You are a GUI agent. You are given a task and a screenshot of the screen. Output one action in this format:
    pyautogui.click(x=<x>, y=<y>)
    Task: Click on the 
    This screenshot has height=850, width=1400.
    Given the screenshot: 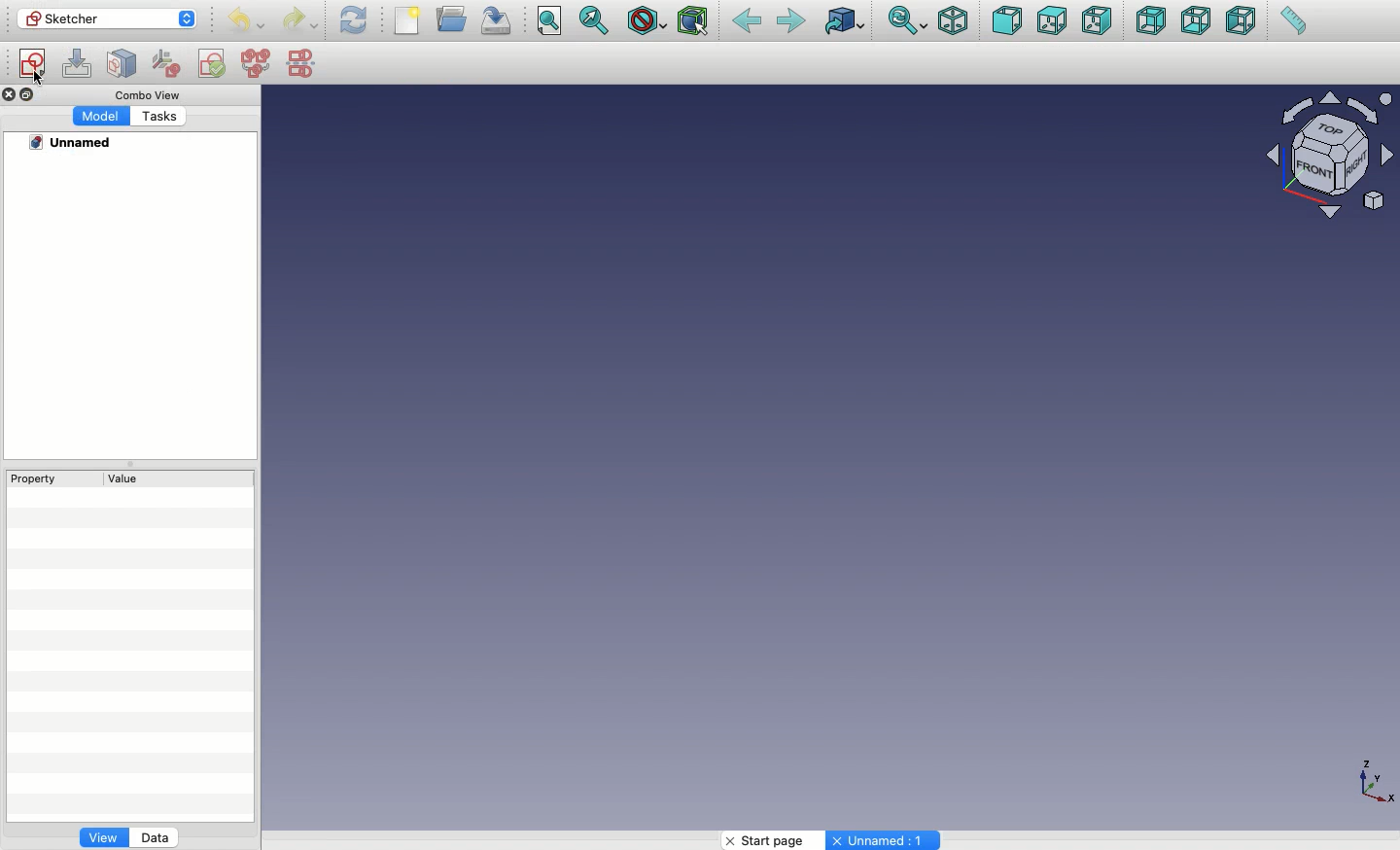 What is the action you would take?
    pyautogui.click(x=1320, y=159)
    